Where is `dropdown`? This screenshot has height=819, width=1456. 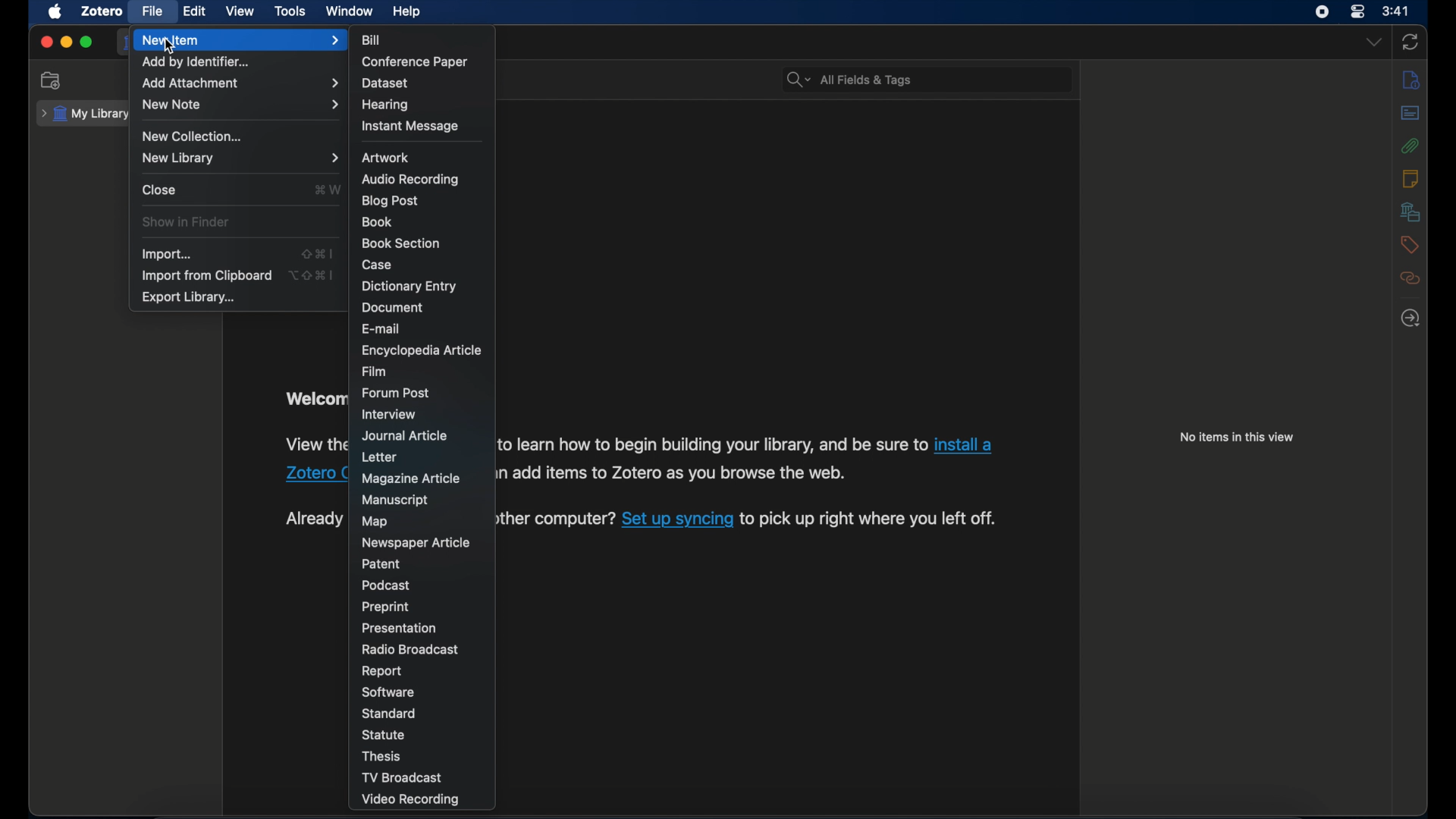
dropdown is located at coordinates (1373, 42).